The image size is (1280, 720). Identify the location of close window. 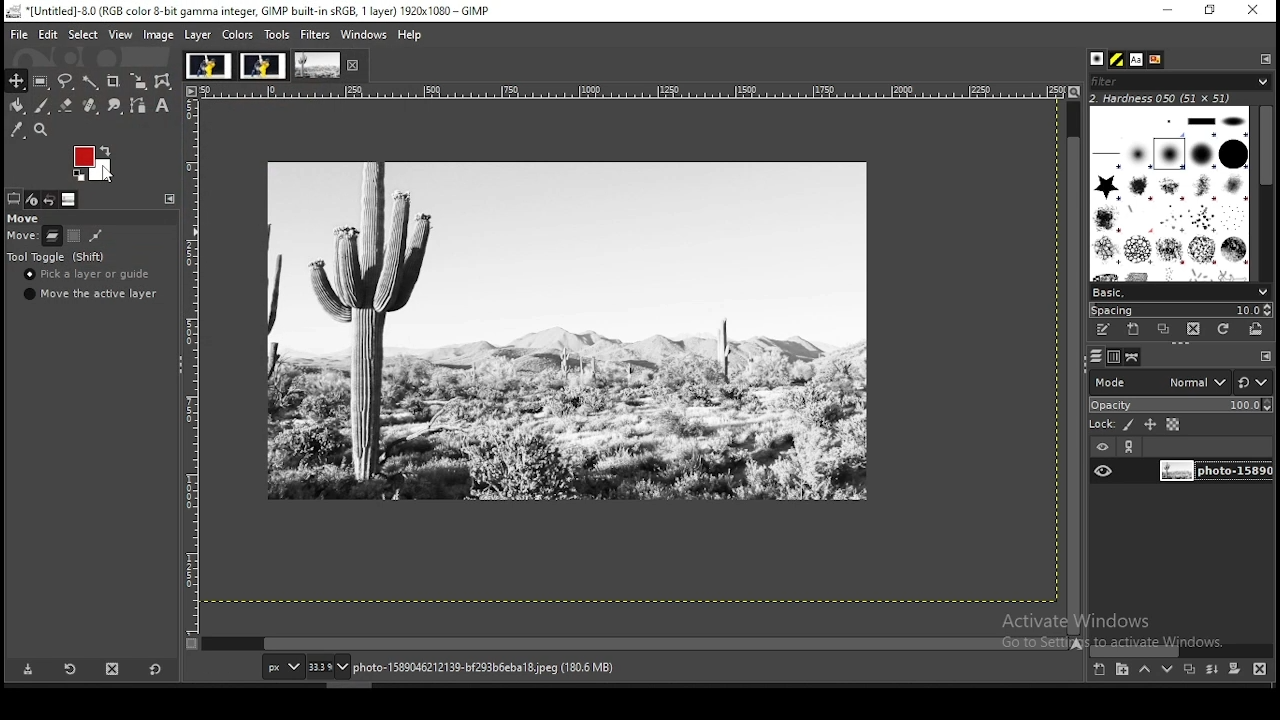
(1252, 10).